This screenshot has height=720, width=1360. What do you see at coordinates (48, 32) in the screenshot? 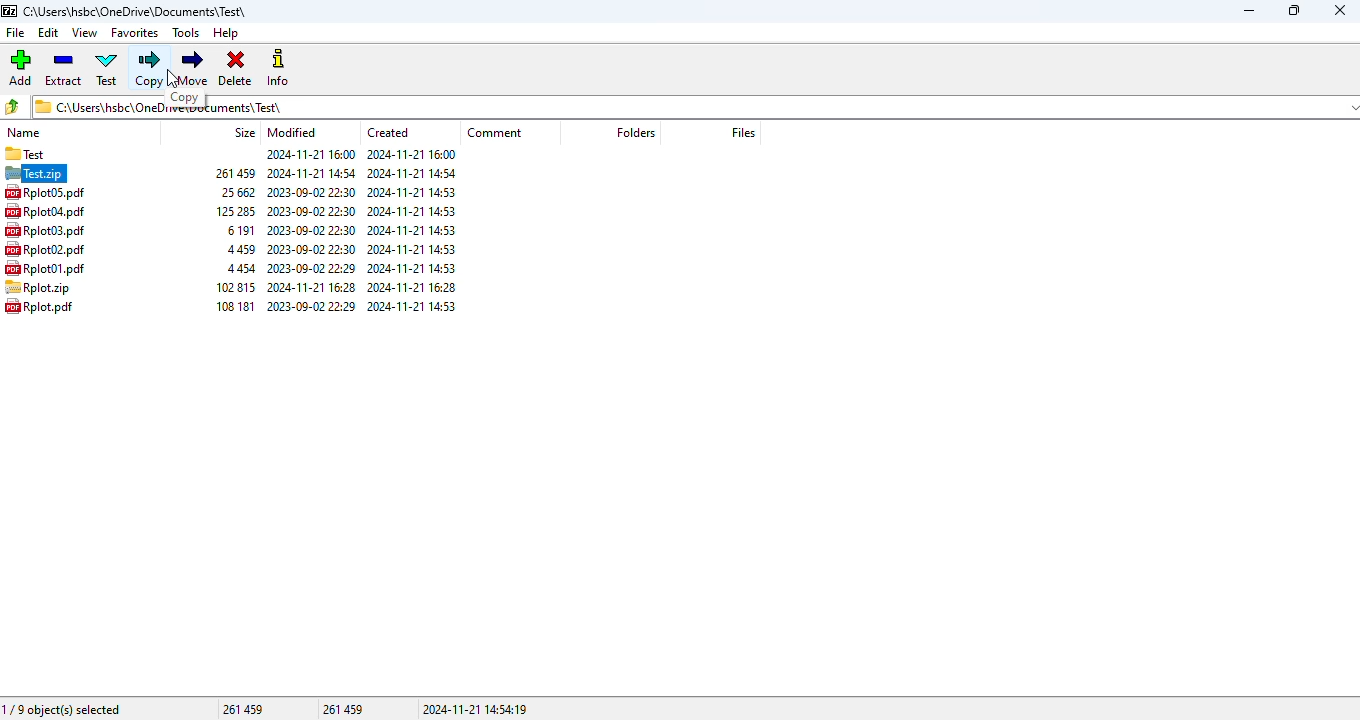
I see `edit` at bounding box center [48, 32].